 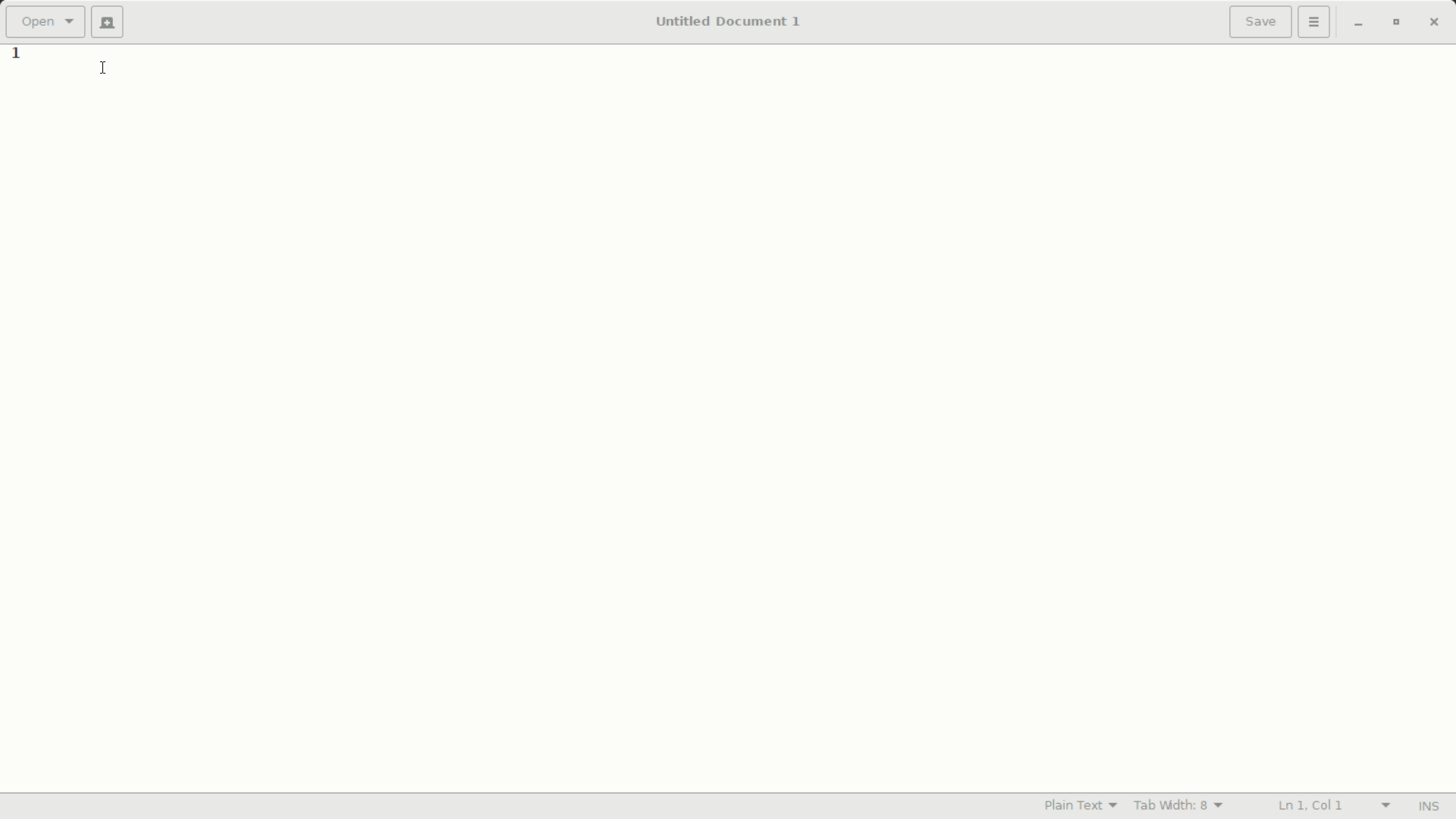 I want to click on Text Entry Pane, so click(x=752, y=418).